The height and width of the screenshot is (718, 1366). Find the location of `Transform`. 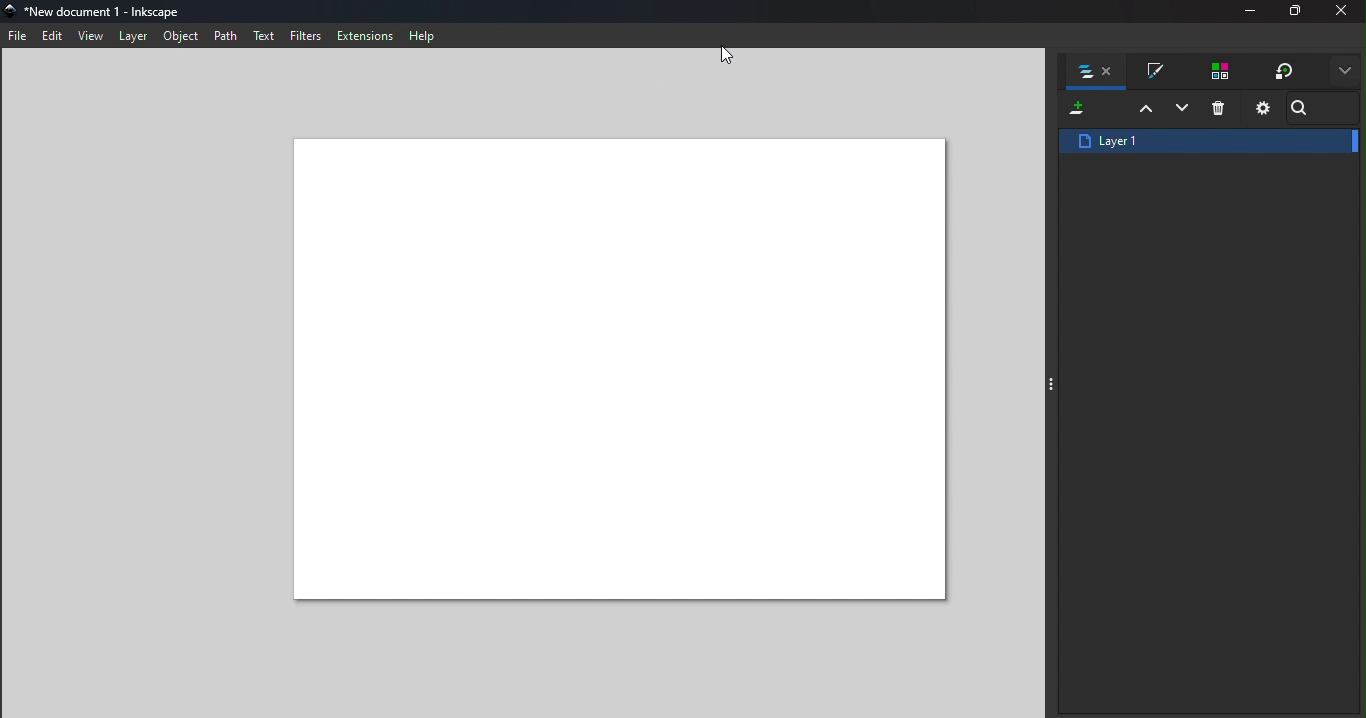

Transform is located at coordinates (1286, 70).